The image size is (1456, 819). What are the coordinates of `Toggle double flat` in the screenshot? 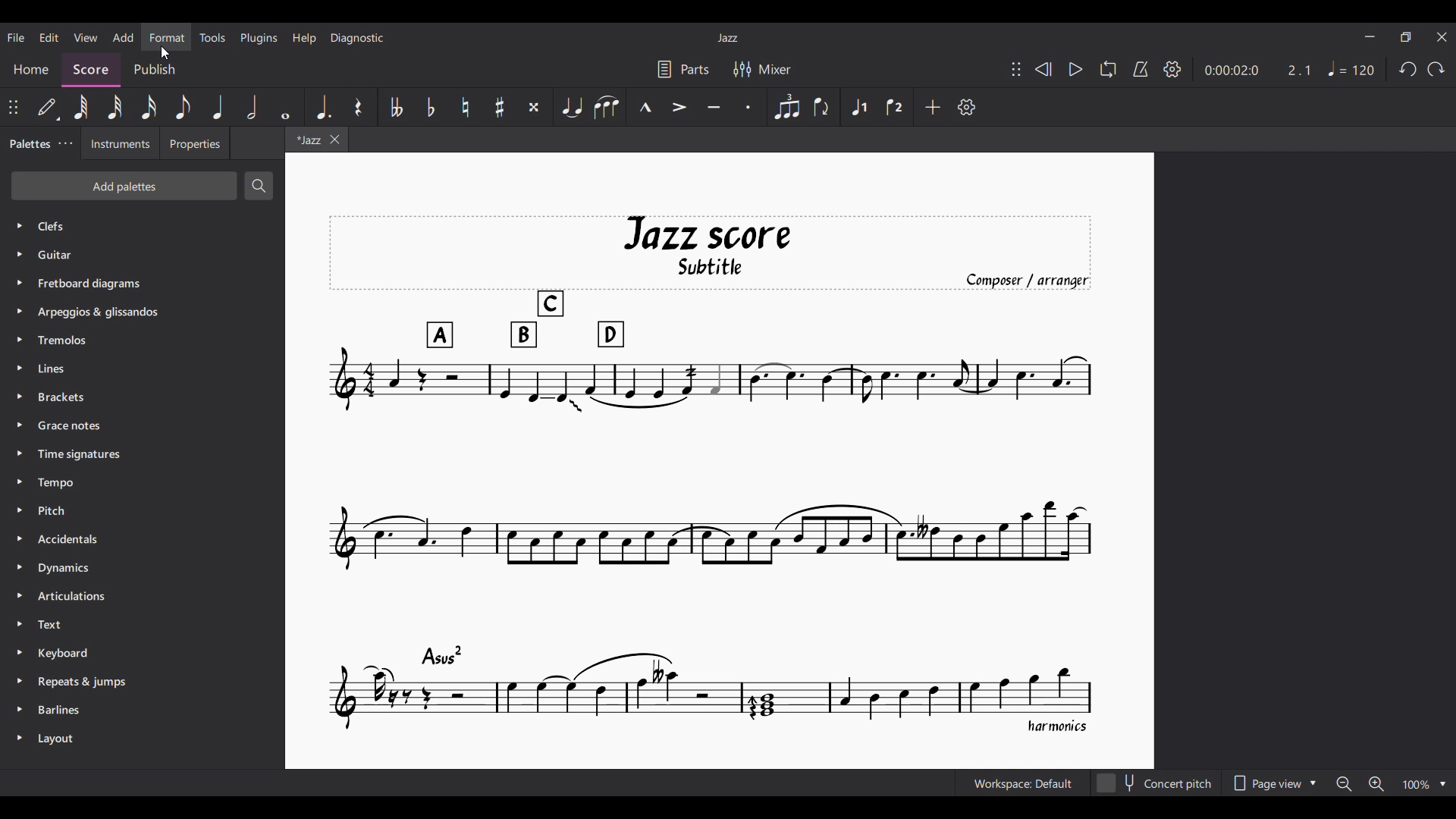 It's located at (396, 107).